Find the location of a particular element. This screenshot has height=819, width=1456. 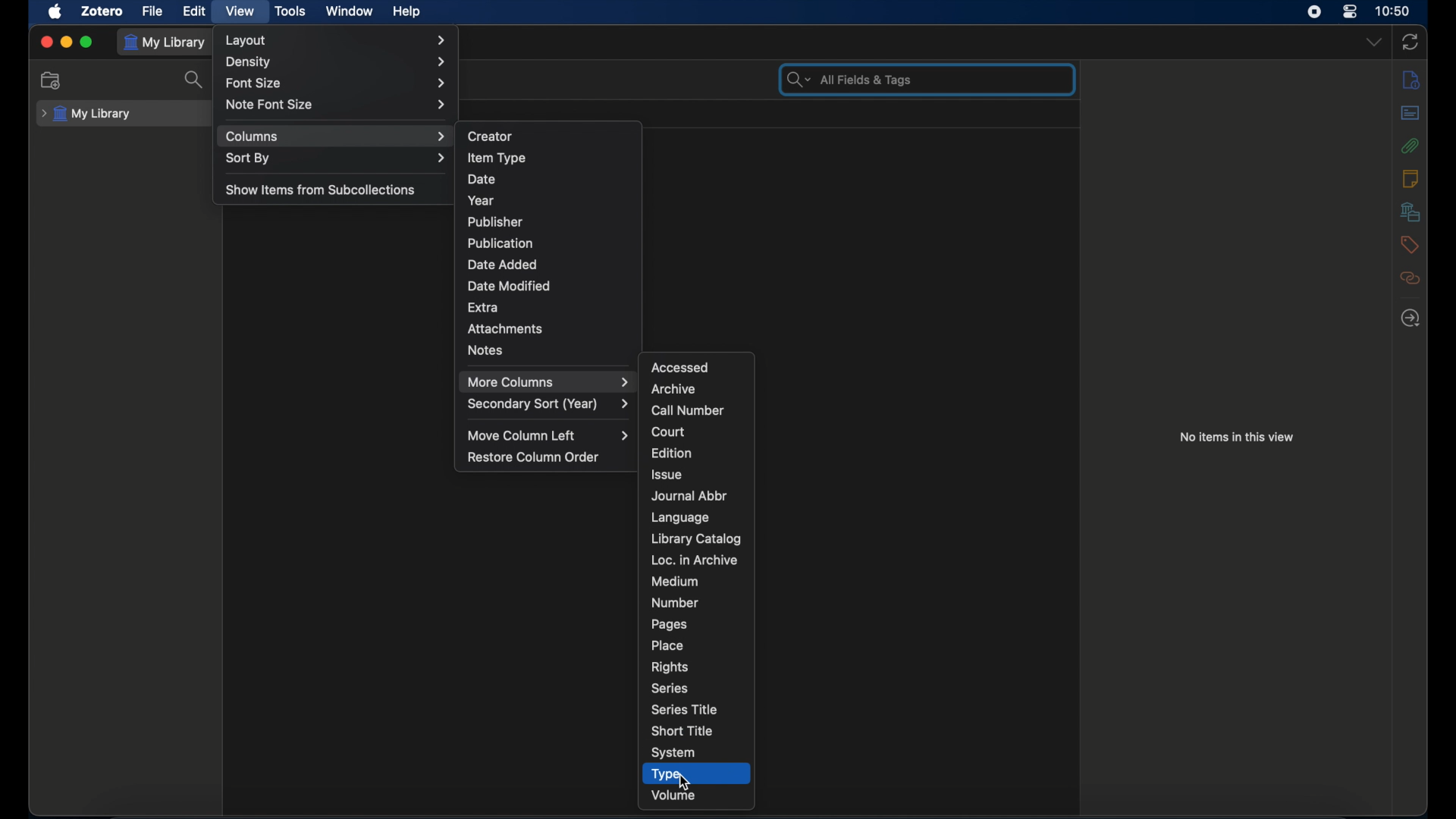

secondary sort is located at coordinates (548, 405).